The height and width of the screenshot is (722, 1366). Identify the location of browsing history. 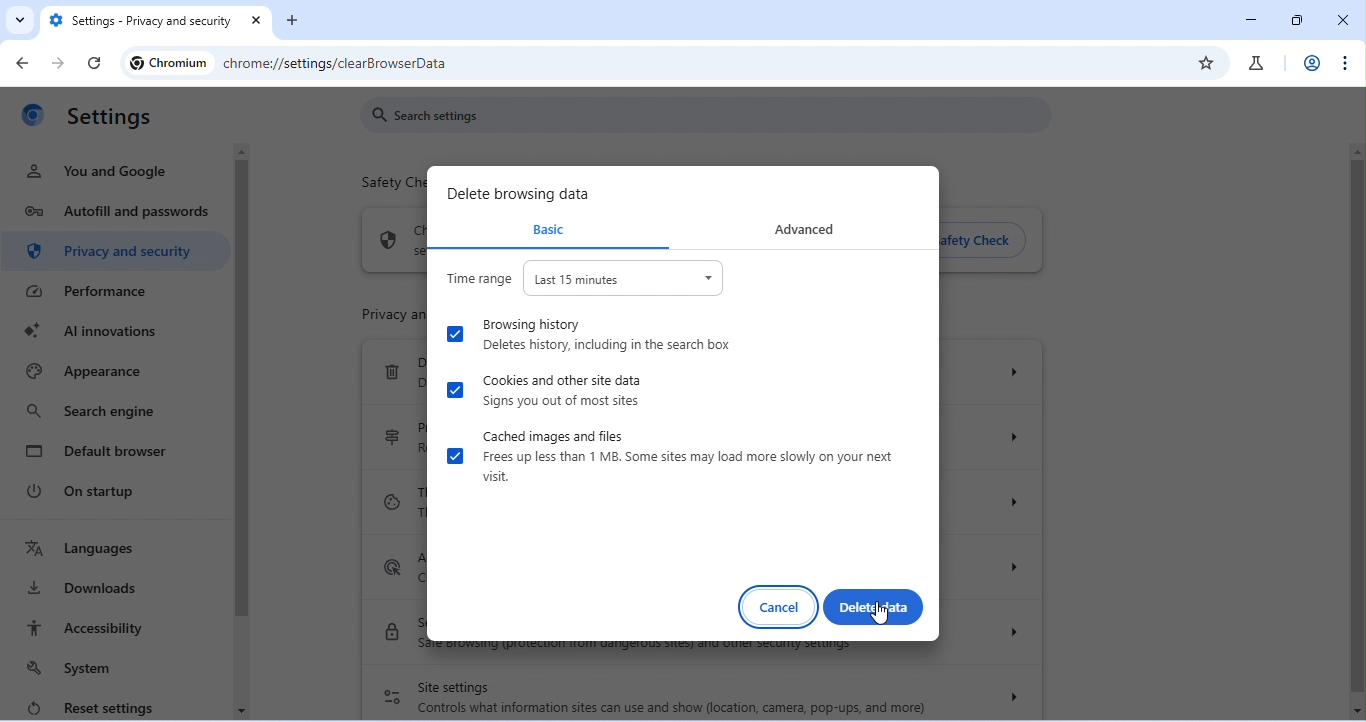
(530, 323).